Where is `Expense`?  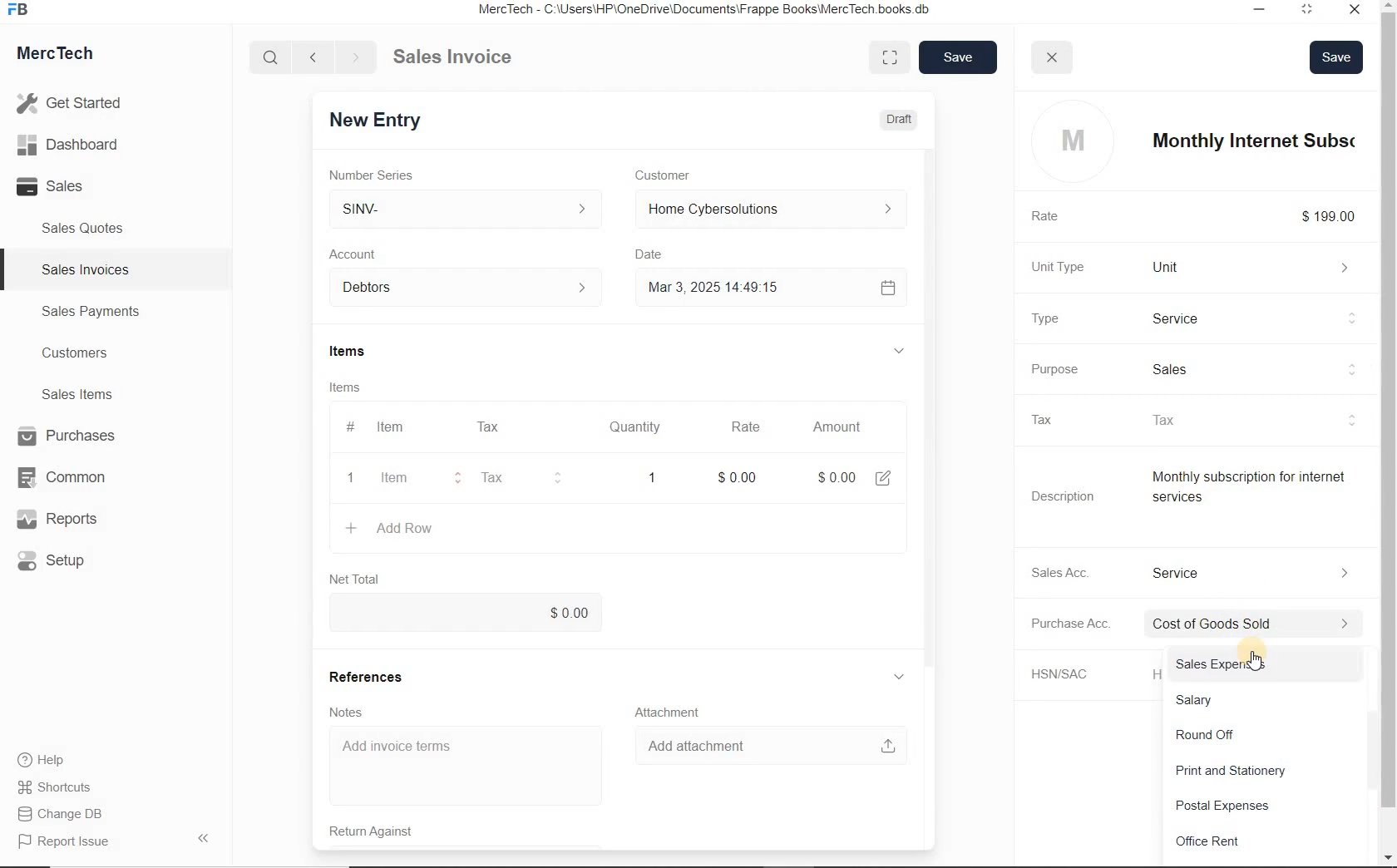 Expense is located at coordinates (1266, 624).